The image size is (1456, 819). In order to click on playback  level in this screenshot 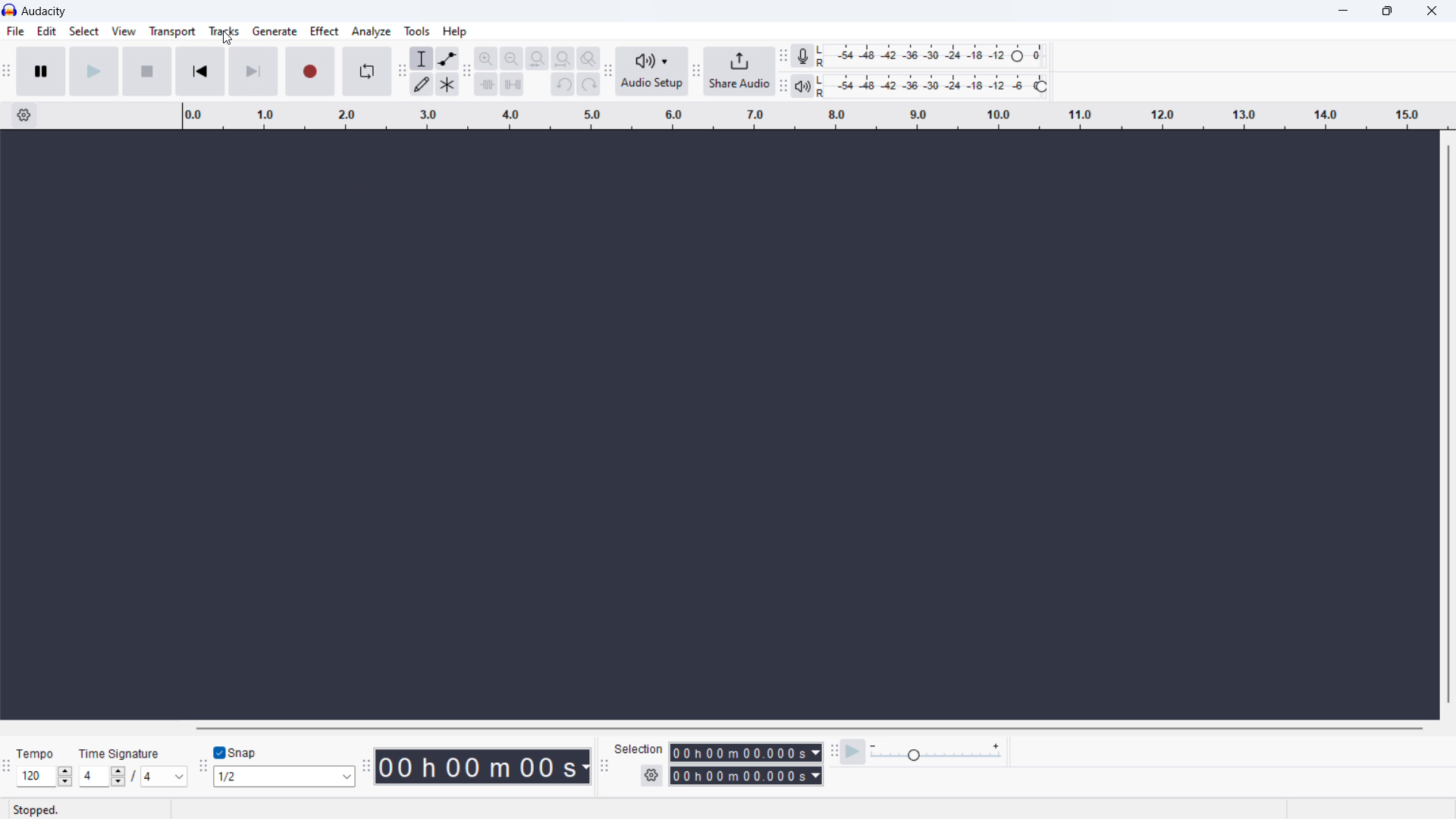, I will do `click(934, 86)`.